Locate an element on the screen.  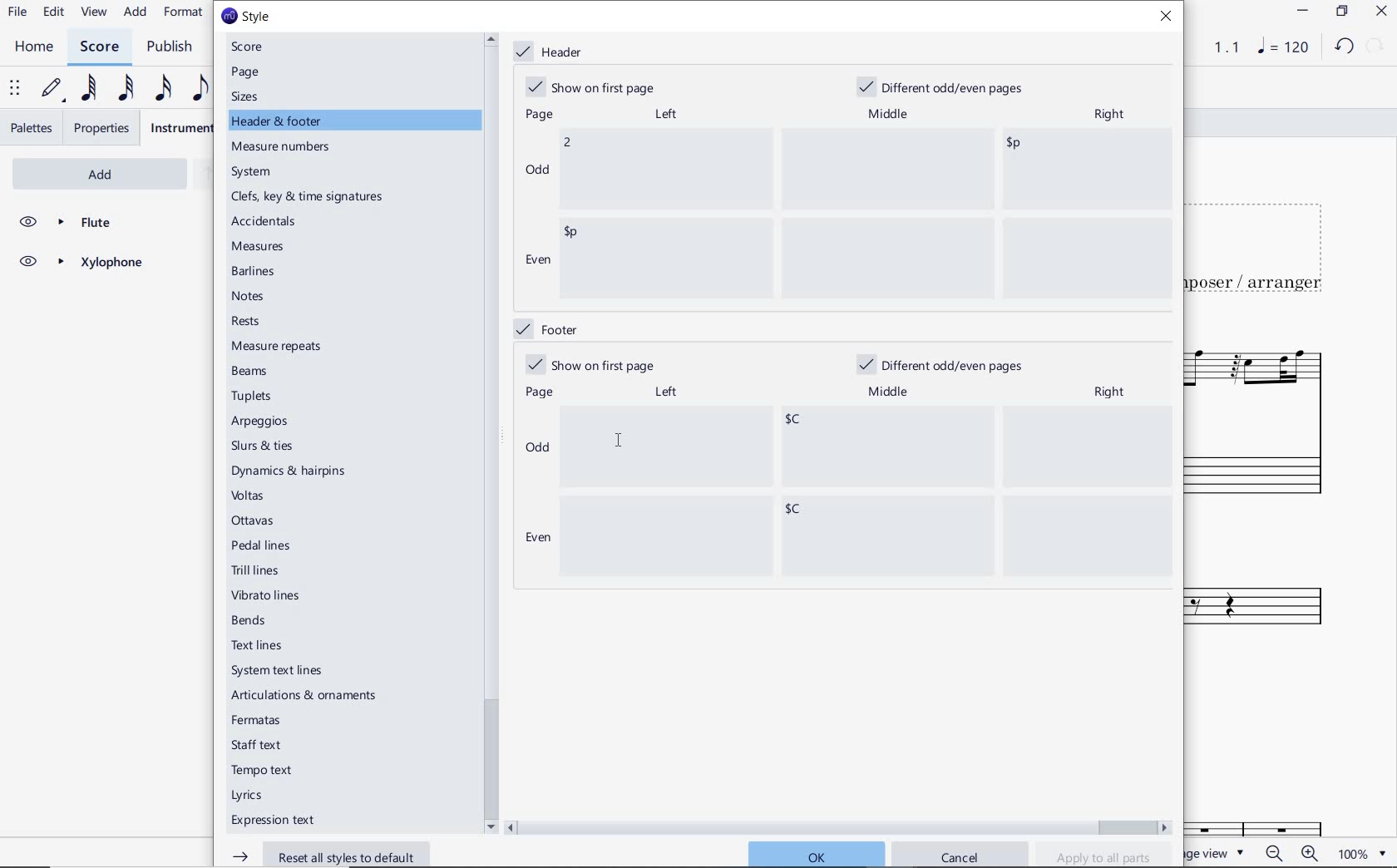
REDO is located at coordinates (1375, 47).